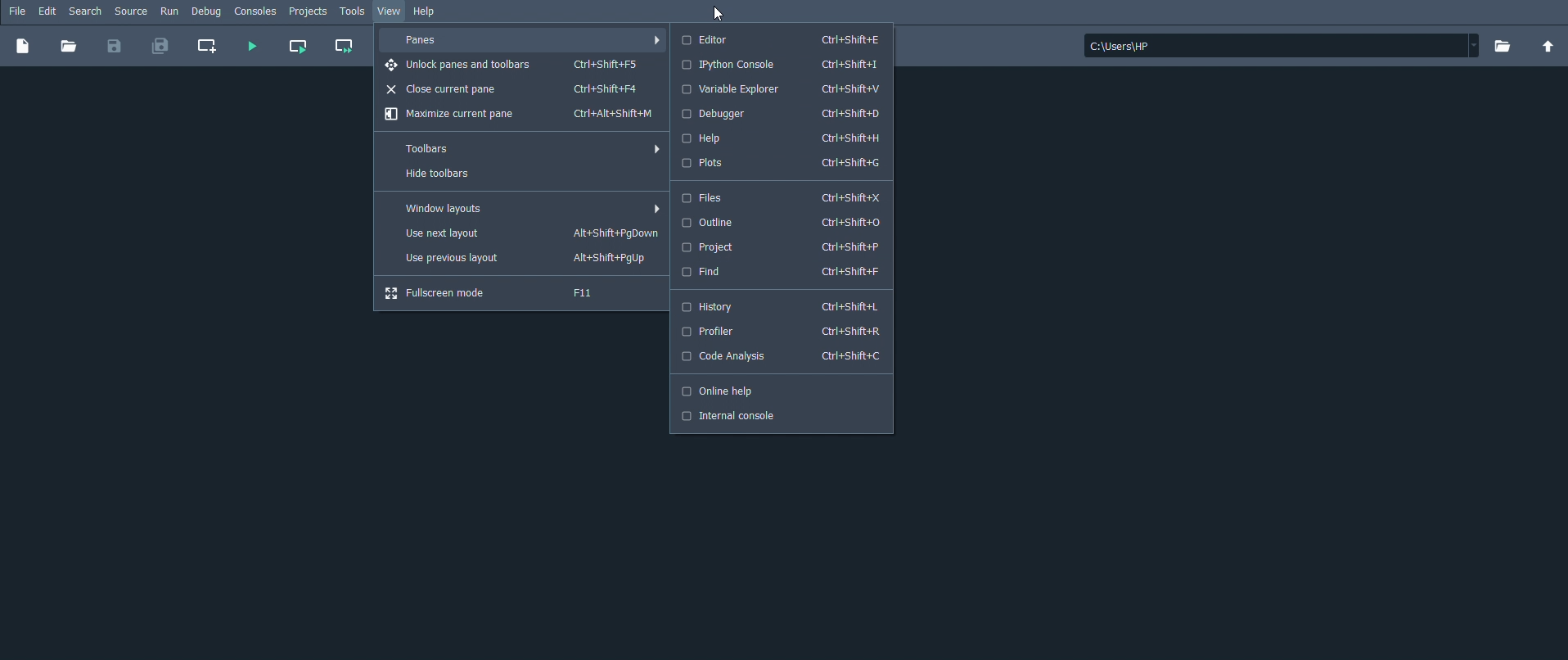 The image size is (1568, 660). What do you see at coordinates (210, 47) in the screenshot?
I see `Create new cell at the current line` at bounding box center [210, 47].